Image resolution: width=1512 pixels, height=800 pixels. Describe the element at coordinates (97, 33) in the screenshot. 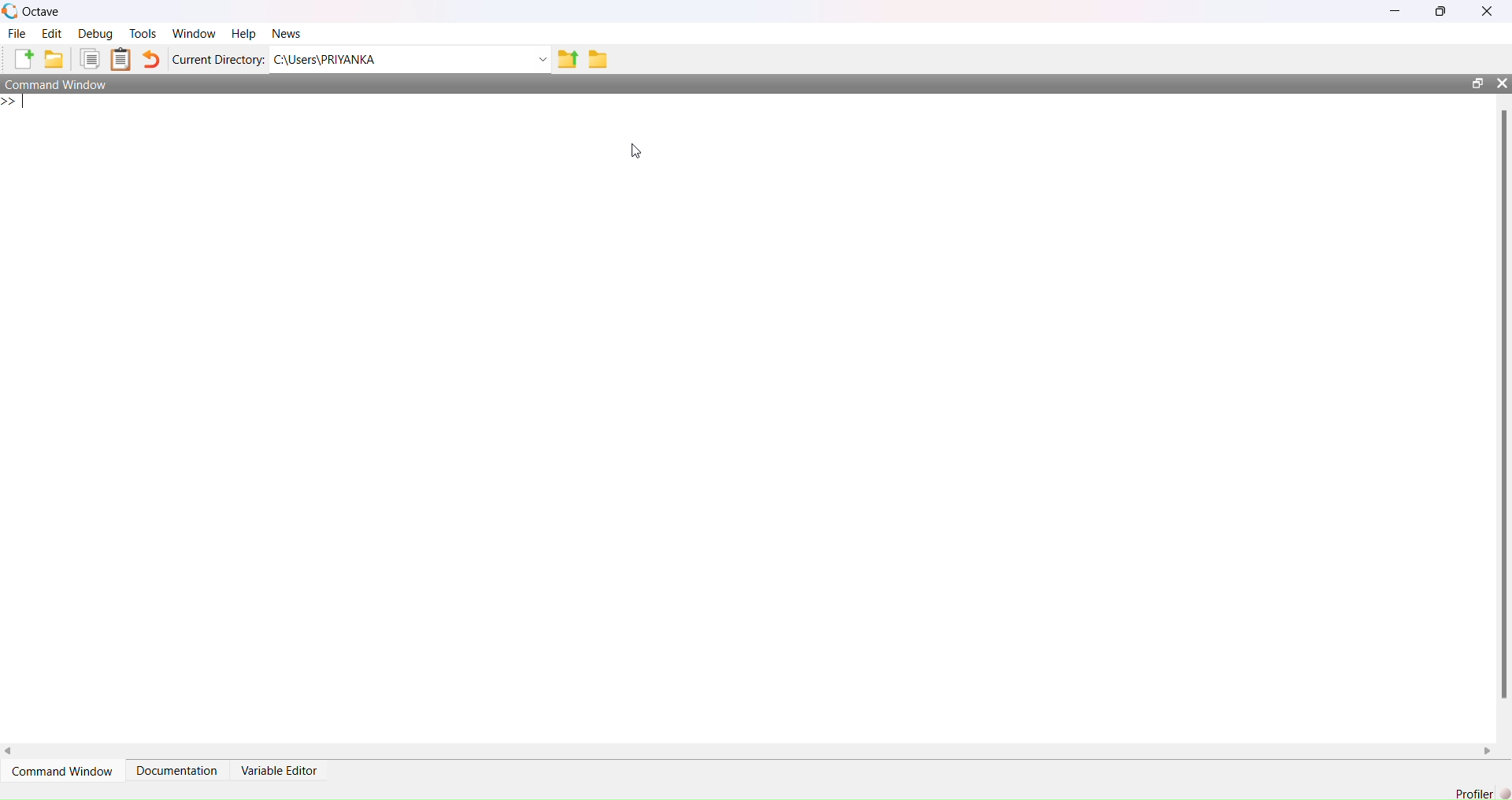

I see `Debug` at that location.